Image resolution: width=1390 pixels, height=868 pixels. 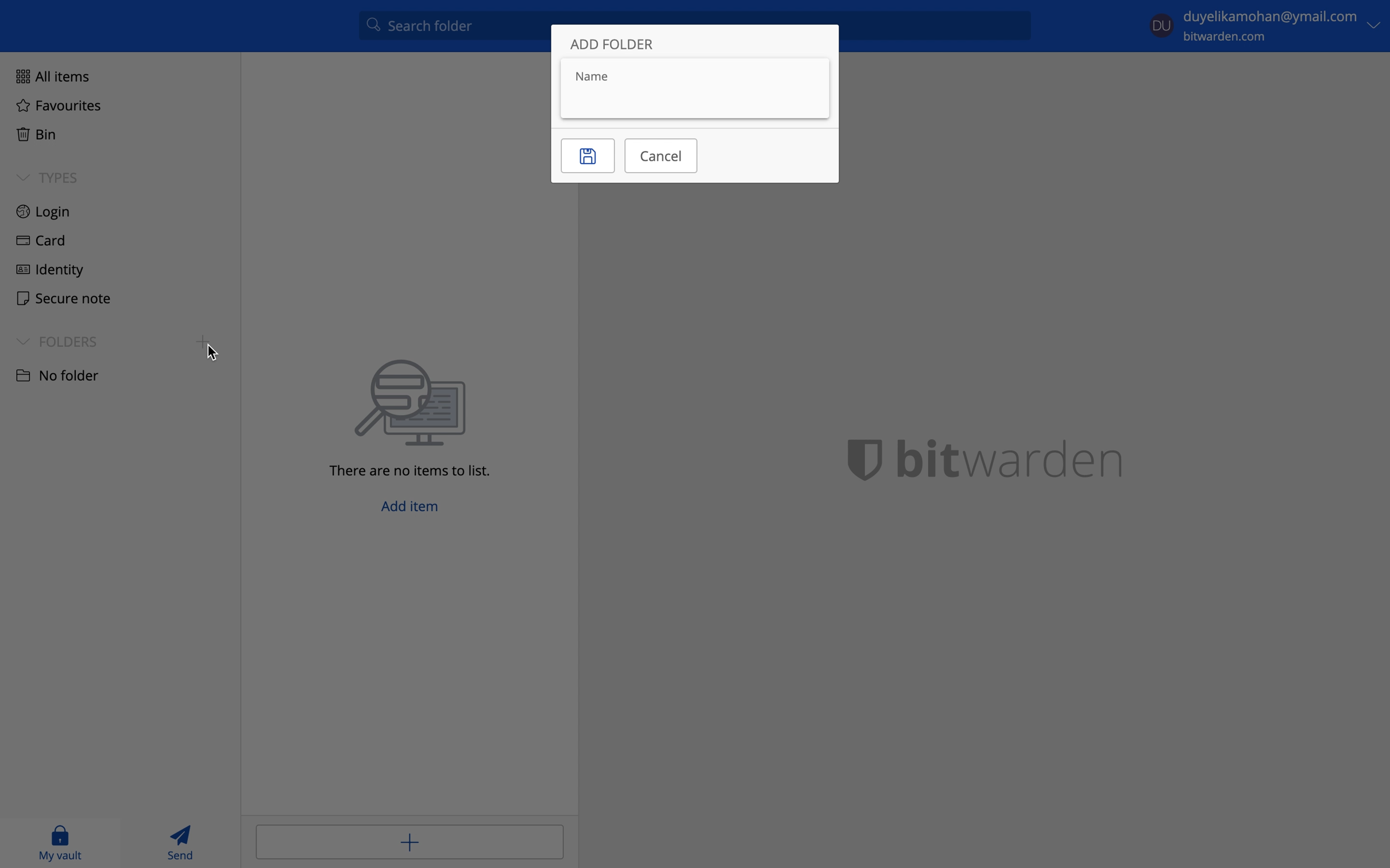 What do you see at coordinates (1231, 37) in the screenshot?
I see `bitwarden.com` at bounding box center [1231, 37].